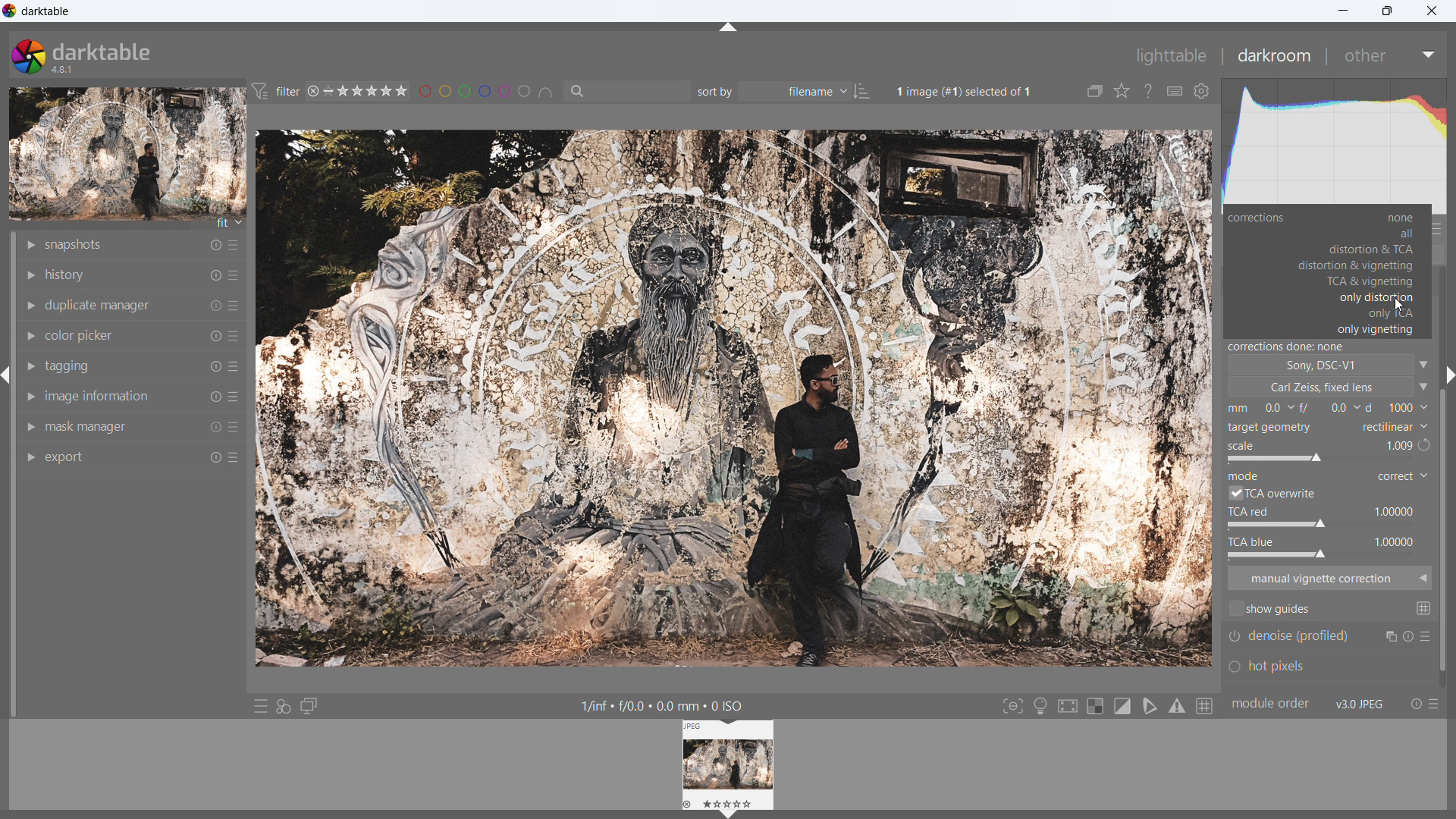 The image size is (1456, 819). Describe the element at coordinates (234, 337) in the screenshot. I see `more options` at that location.